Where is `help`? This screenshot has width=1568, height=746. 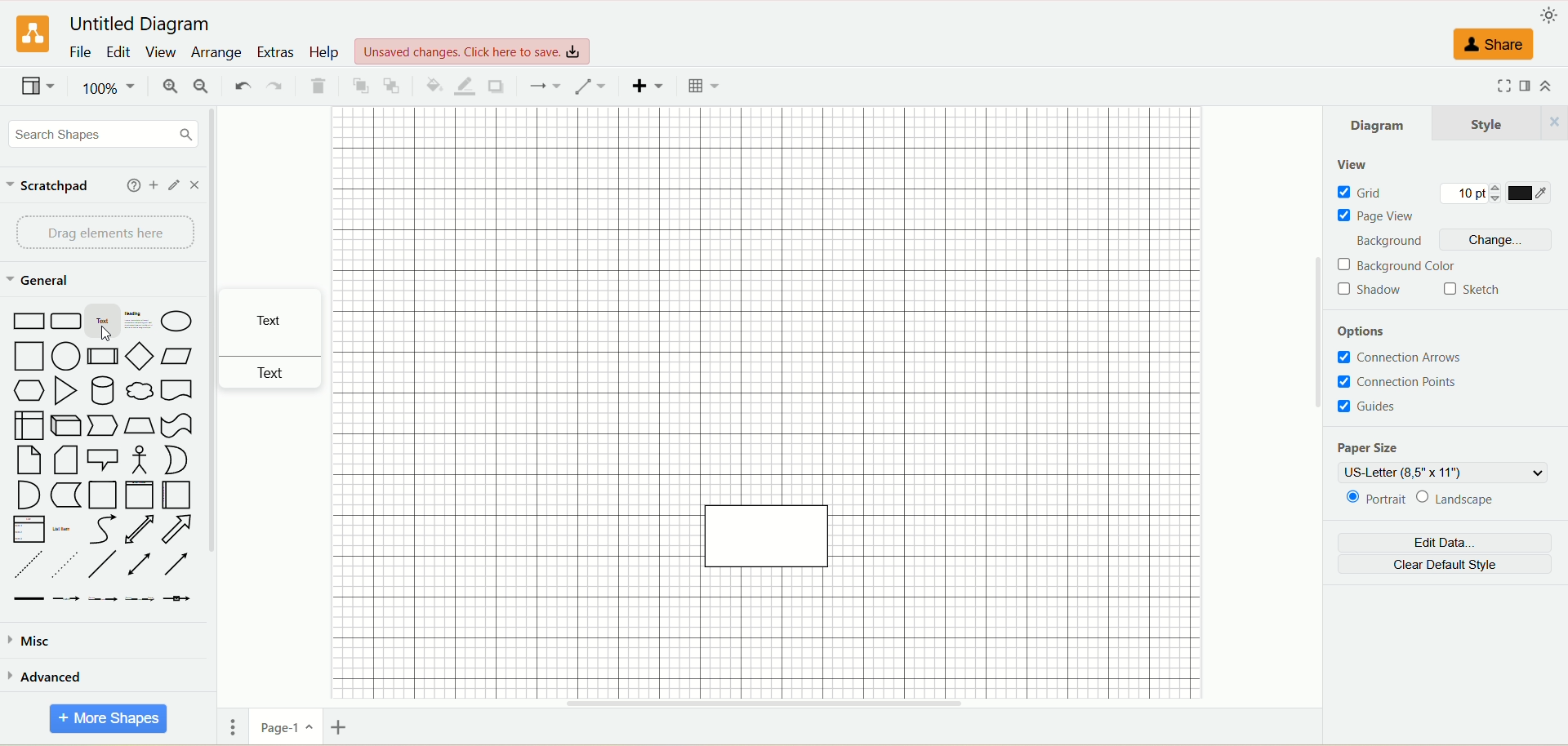
help is located at coordinates (323, 52).